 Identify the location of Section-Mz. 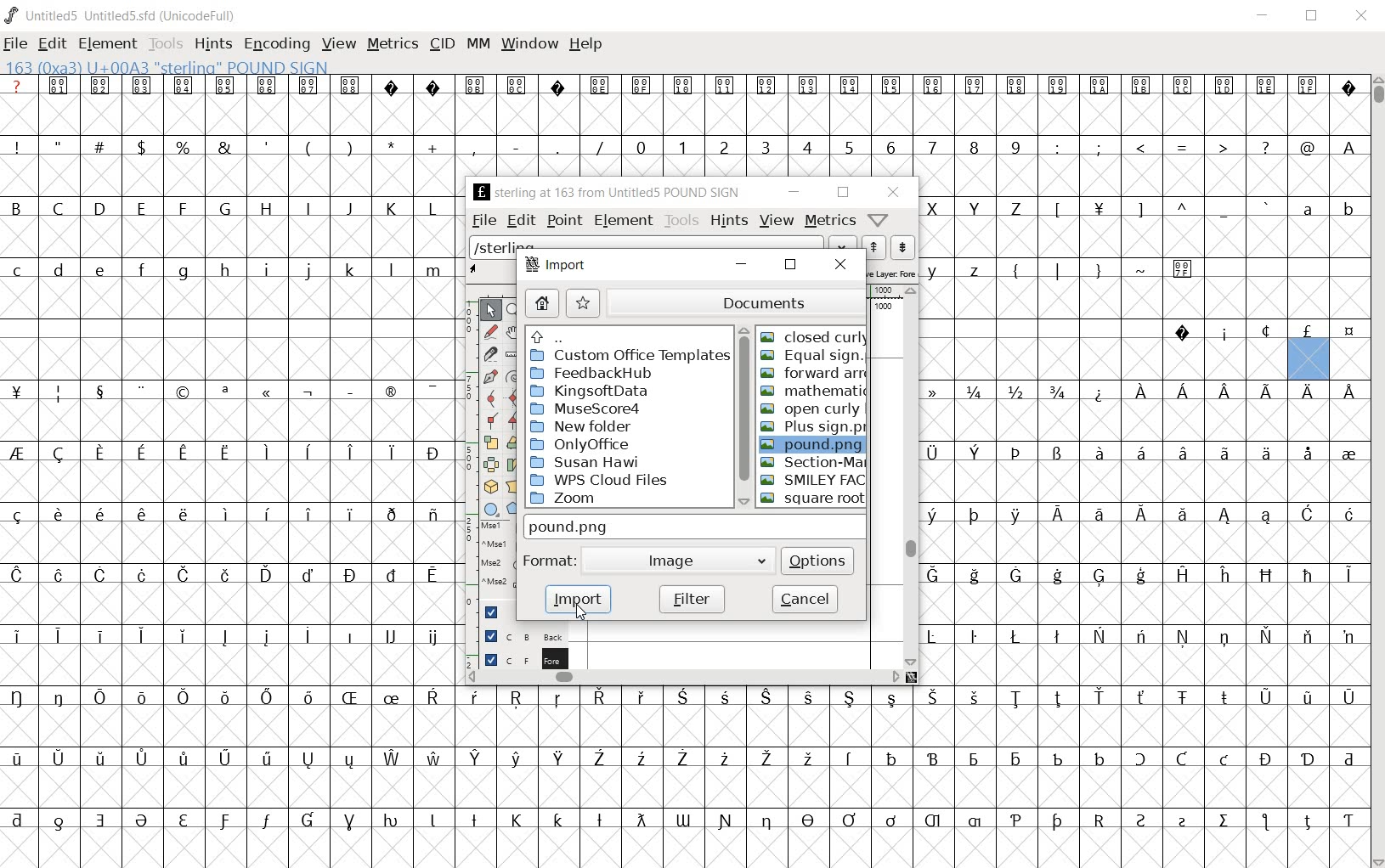
(808, 460).